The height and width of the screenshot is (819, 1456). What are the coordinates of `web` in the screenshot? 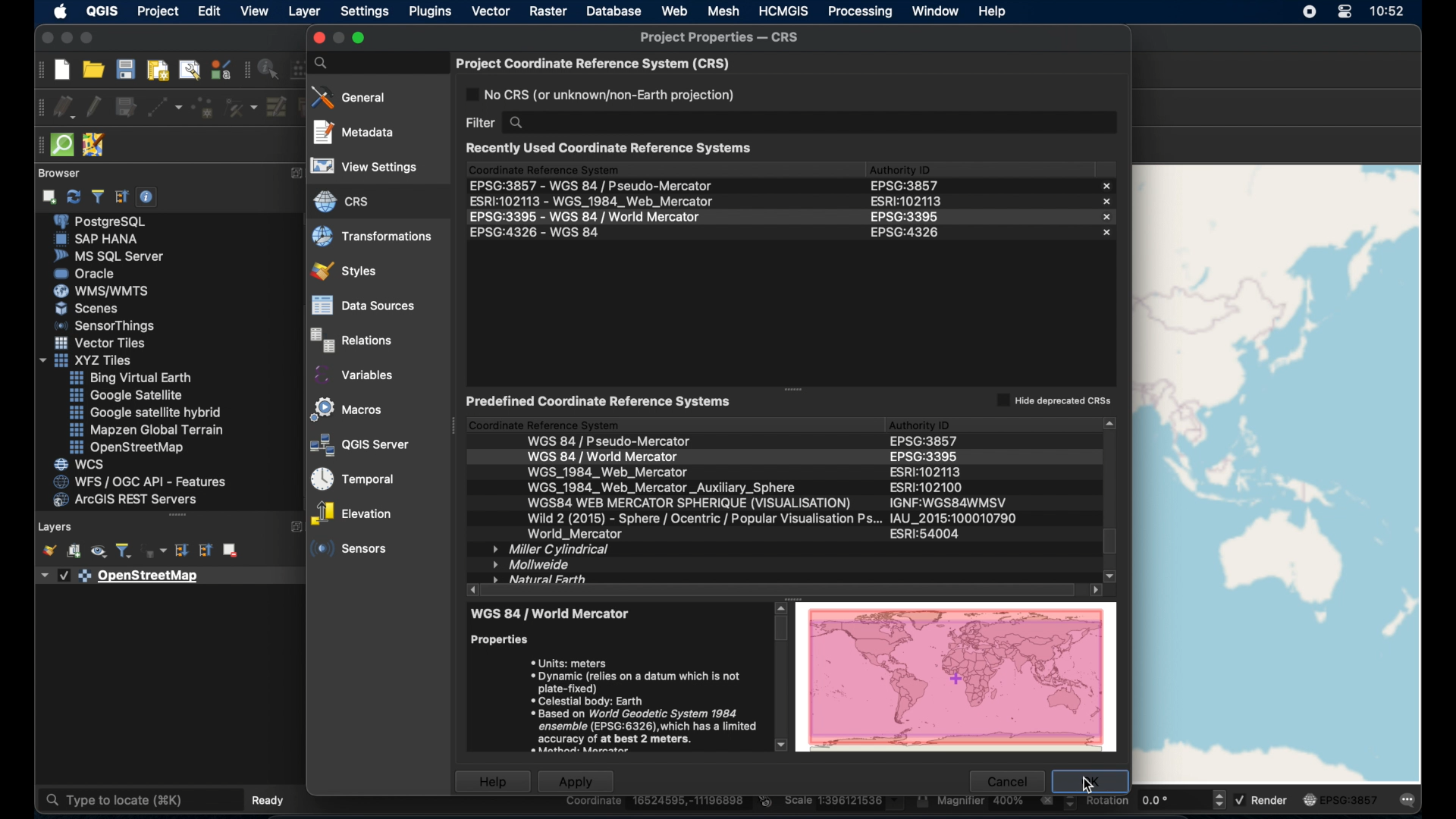 It's located at (676, 11).